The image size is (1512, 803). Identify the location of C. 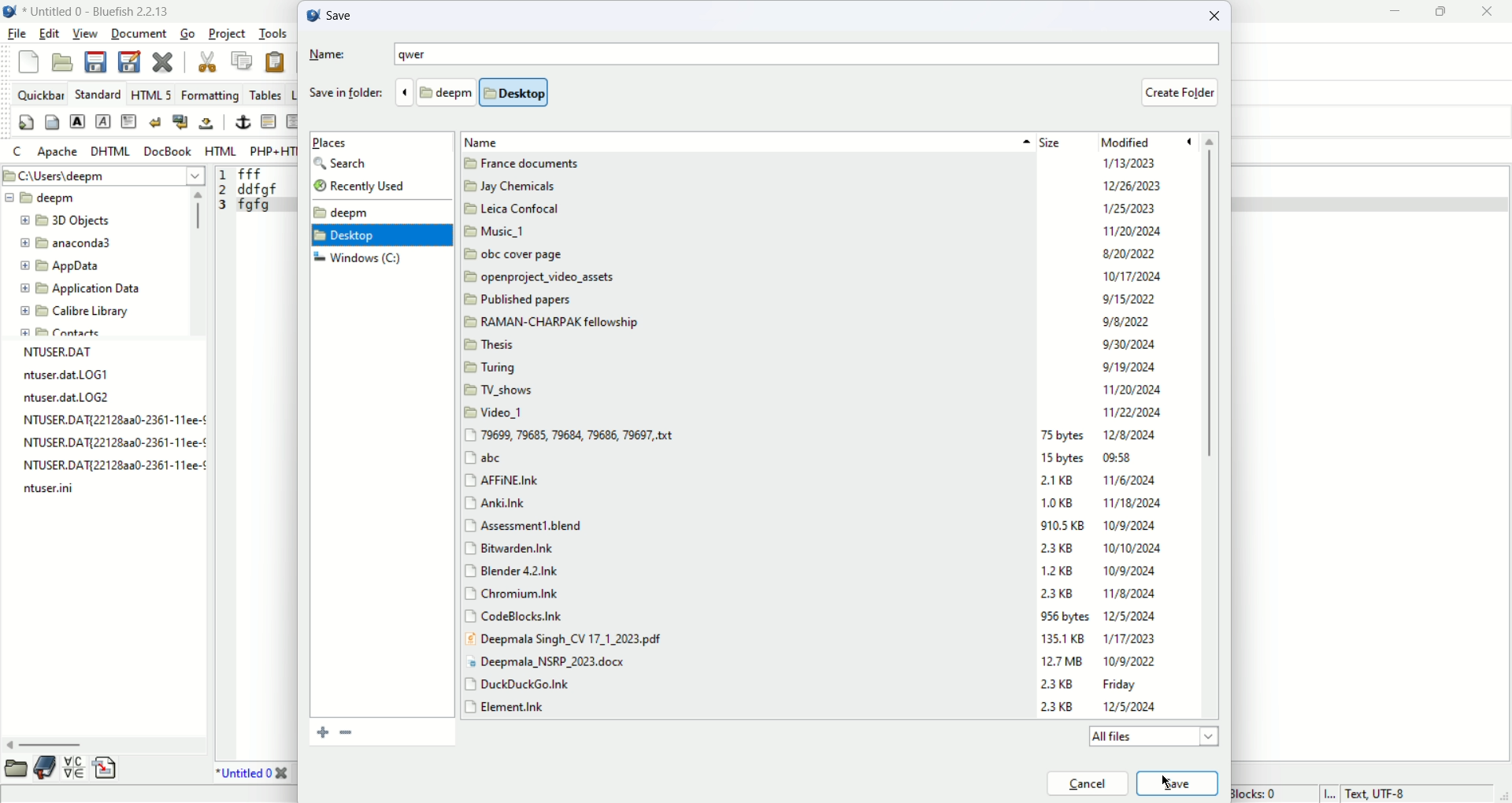
(20, 152).